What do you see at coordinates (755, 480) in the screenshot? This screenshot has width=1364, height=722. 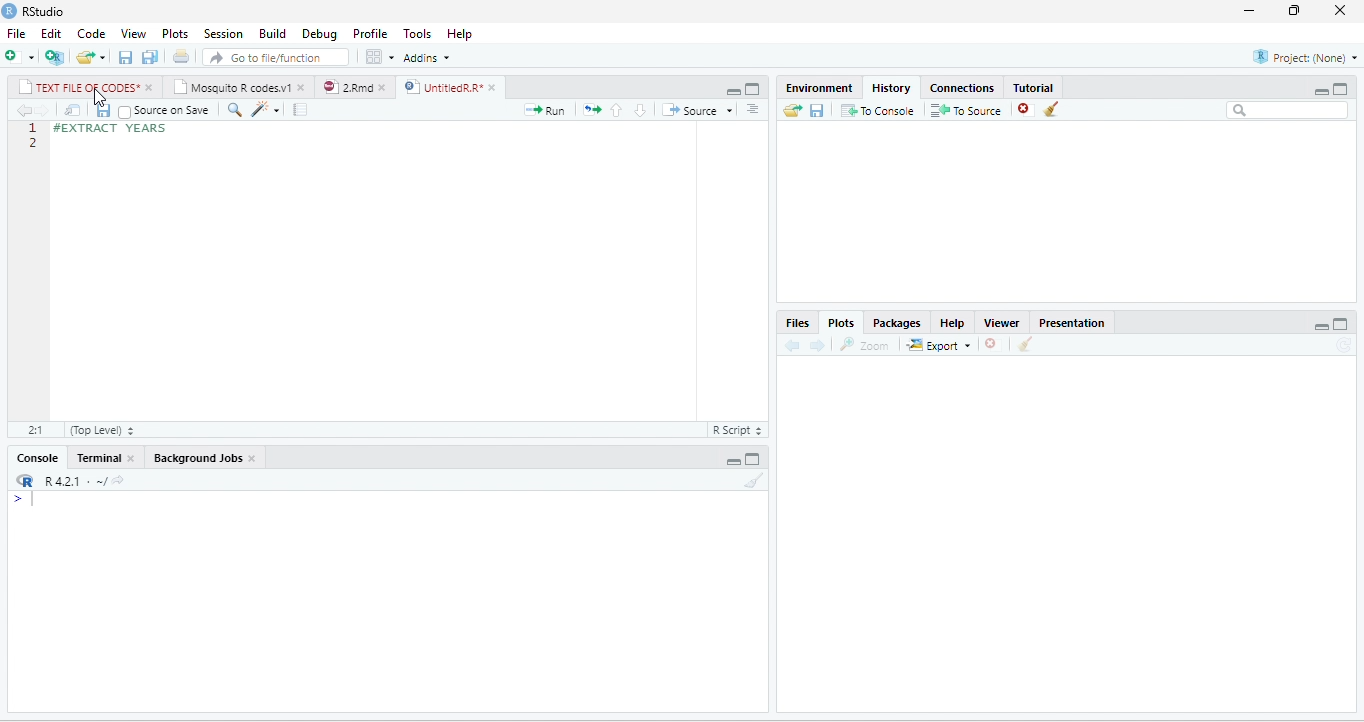 I see `clear` at bounding box center [755, 480].